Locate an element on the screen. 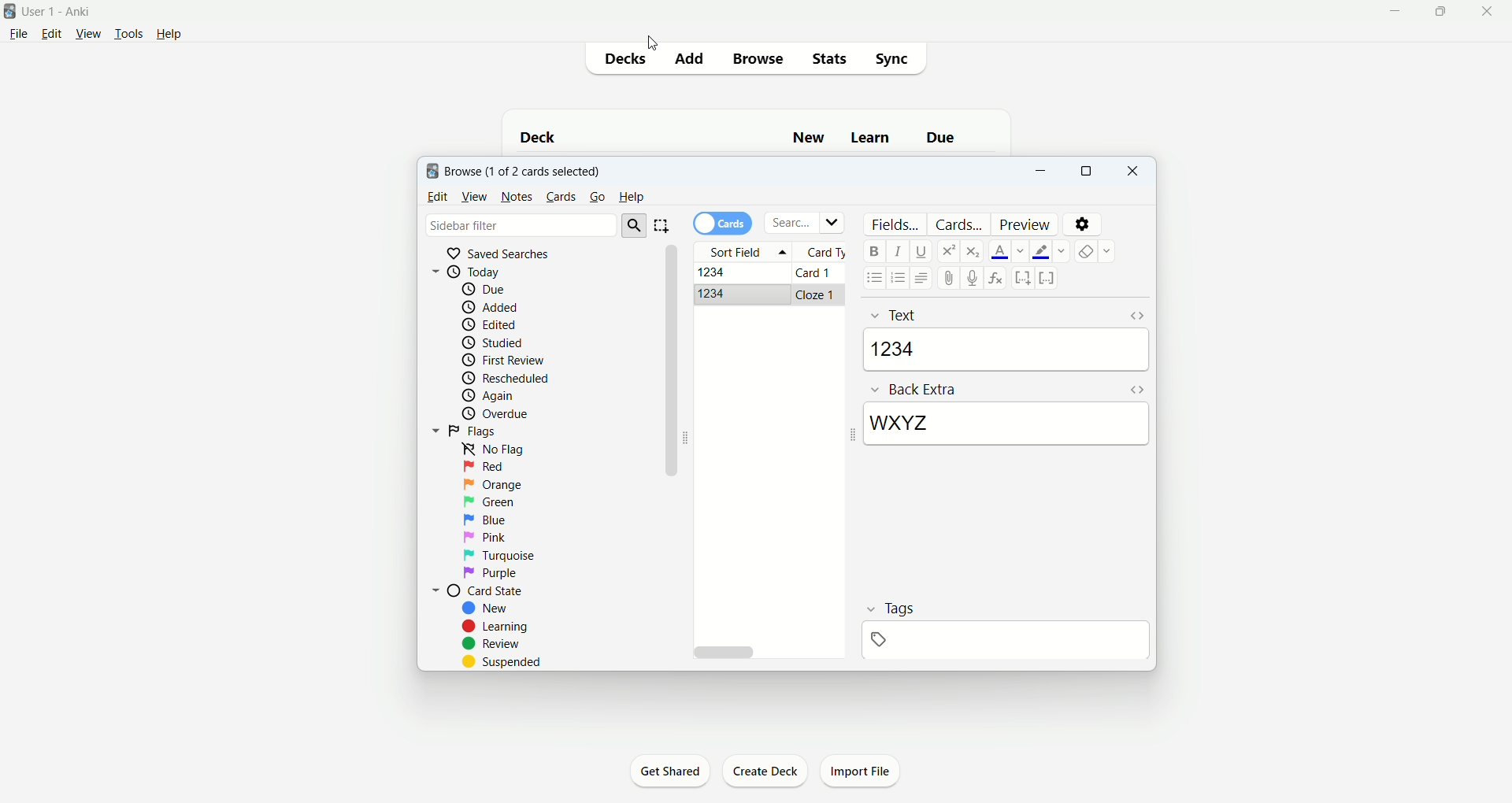 The height and width of the screenshot is (803, 1512). edited is located at coordinates (488, 324).